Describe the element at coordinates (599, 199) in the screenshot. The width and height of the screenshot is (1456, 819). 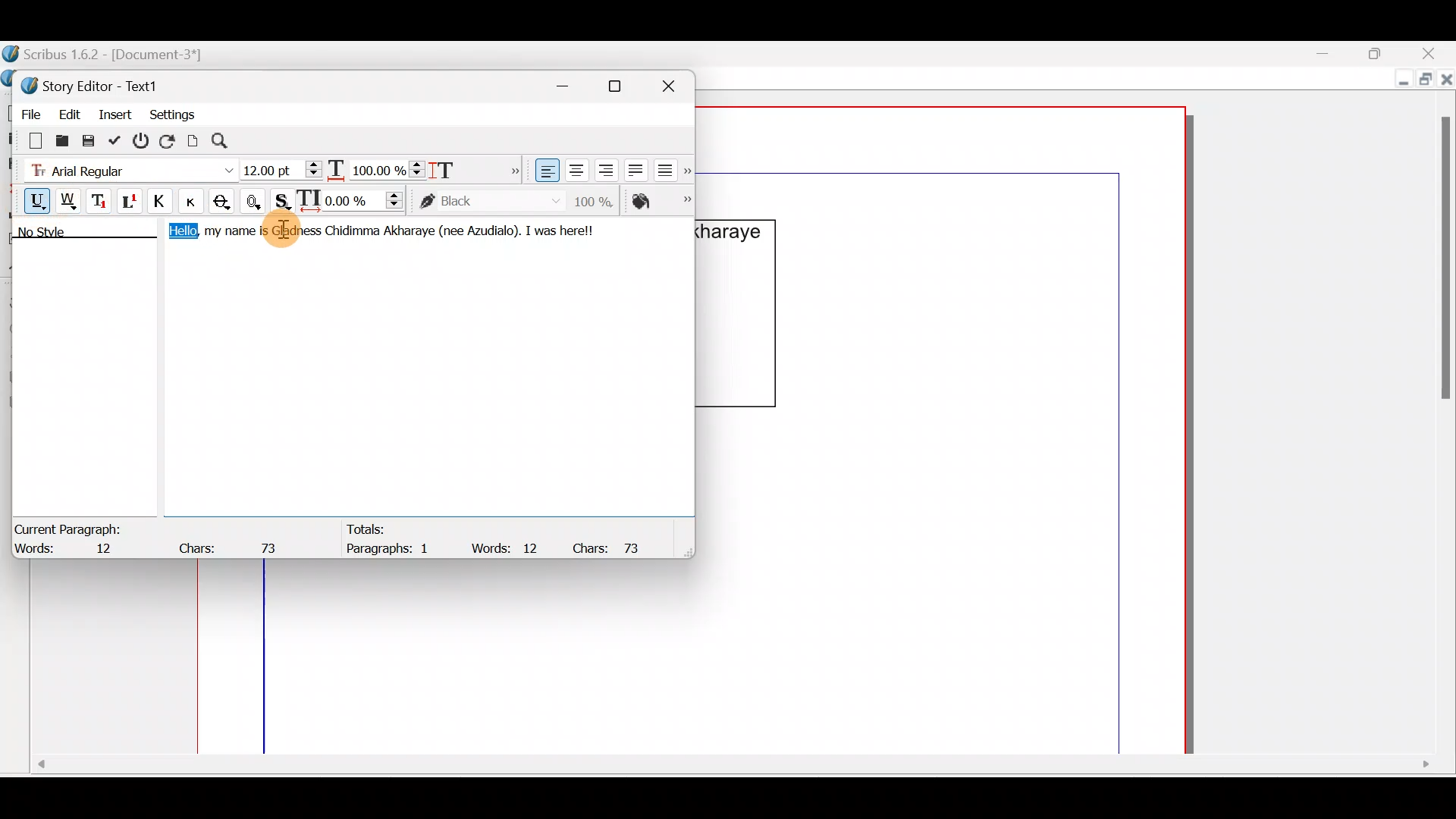
I see `Saturation of color of text stroke` at that location.